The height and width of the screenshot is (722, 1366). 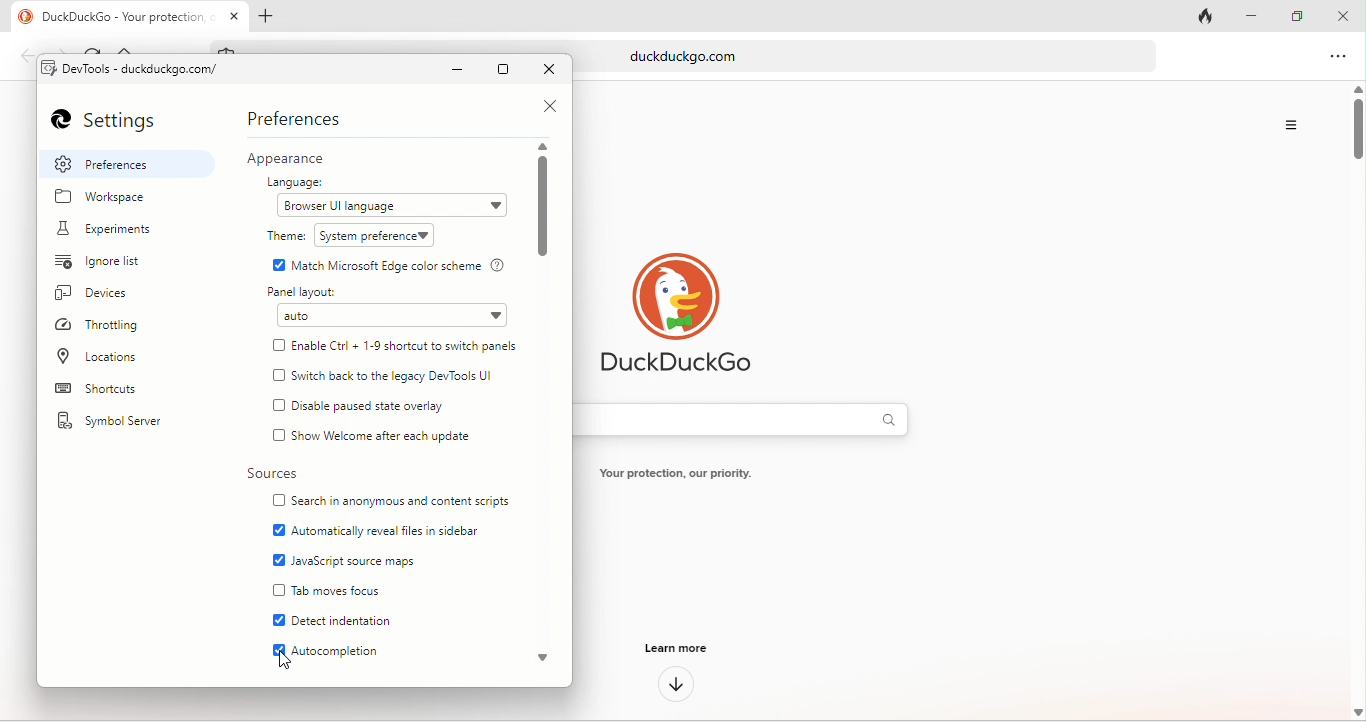 What do you see at coordinates (689, 367) in the screenshot?
I see `duckduckGo` at bounding box center [689, 367].